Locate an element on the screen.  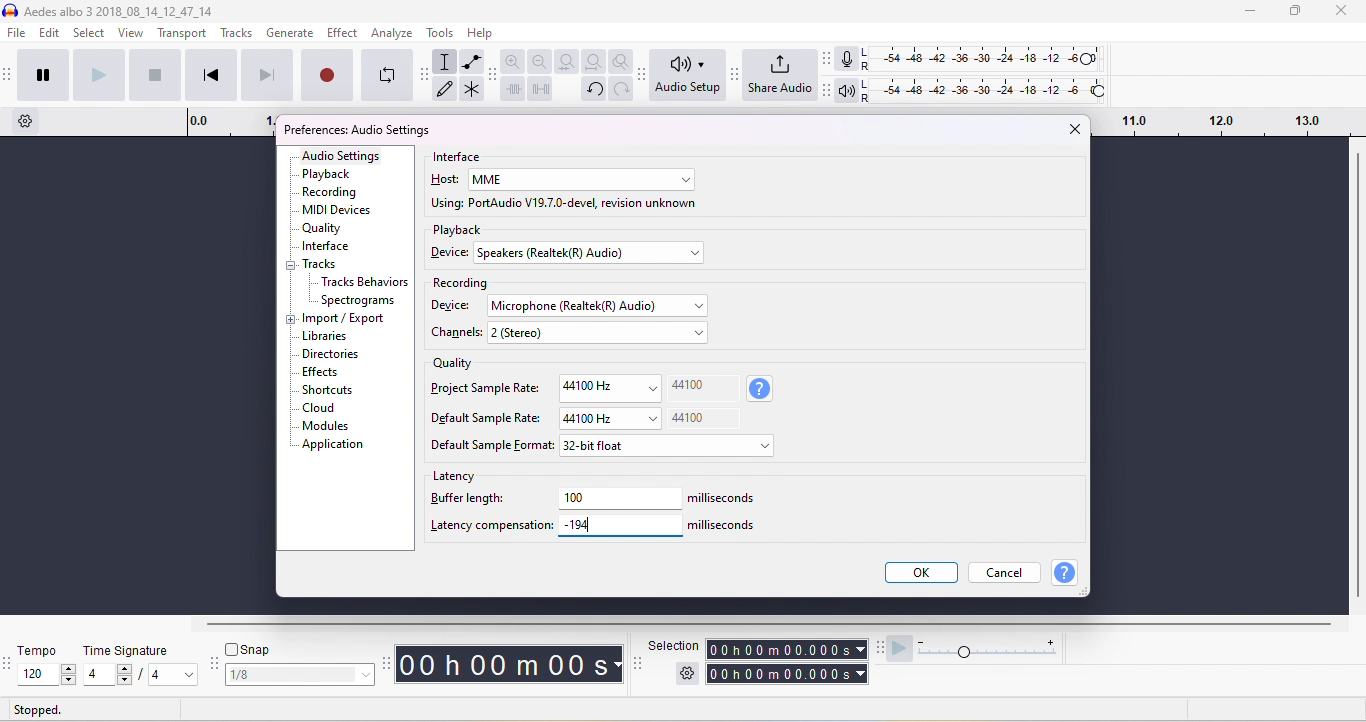
maximize is located at coordinates (1294, 11).